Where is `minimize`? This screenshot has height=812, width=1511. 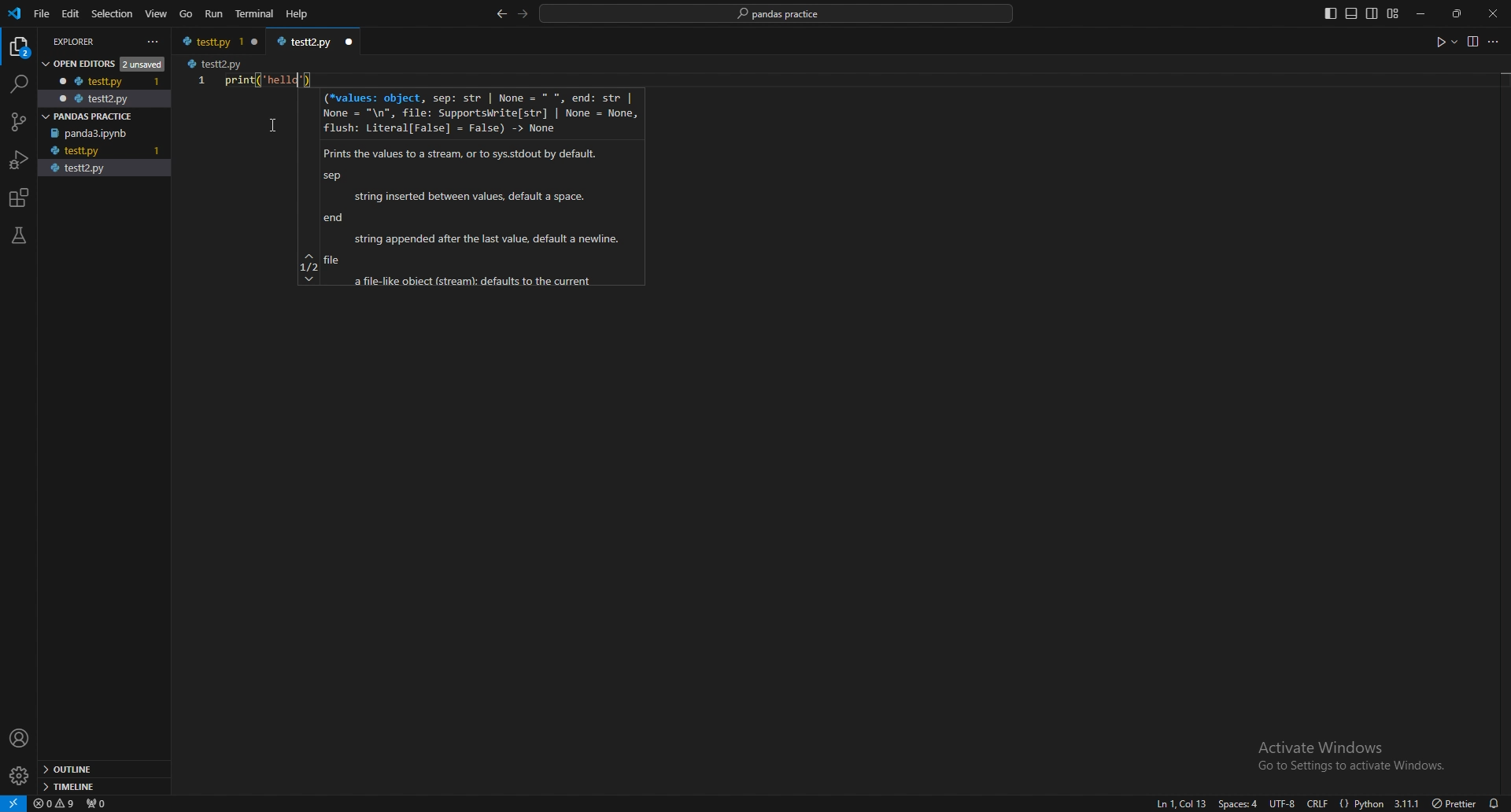
minimize is located at coordinates (1425, 14).